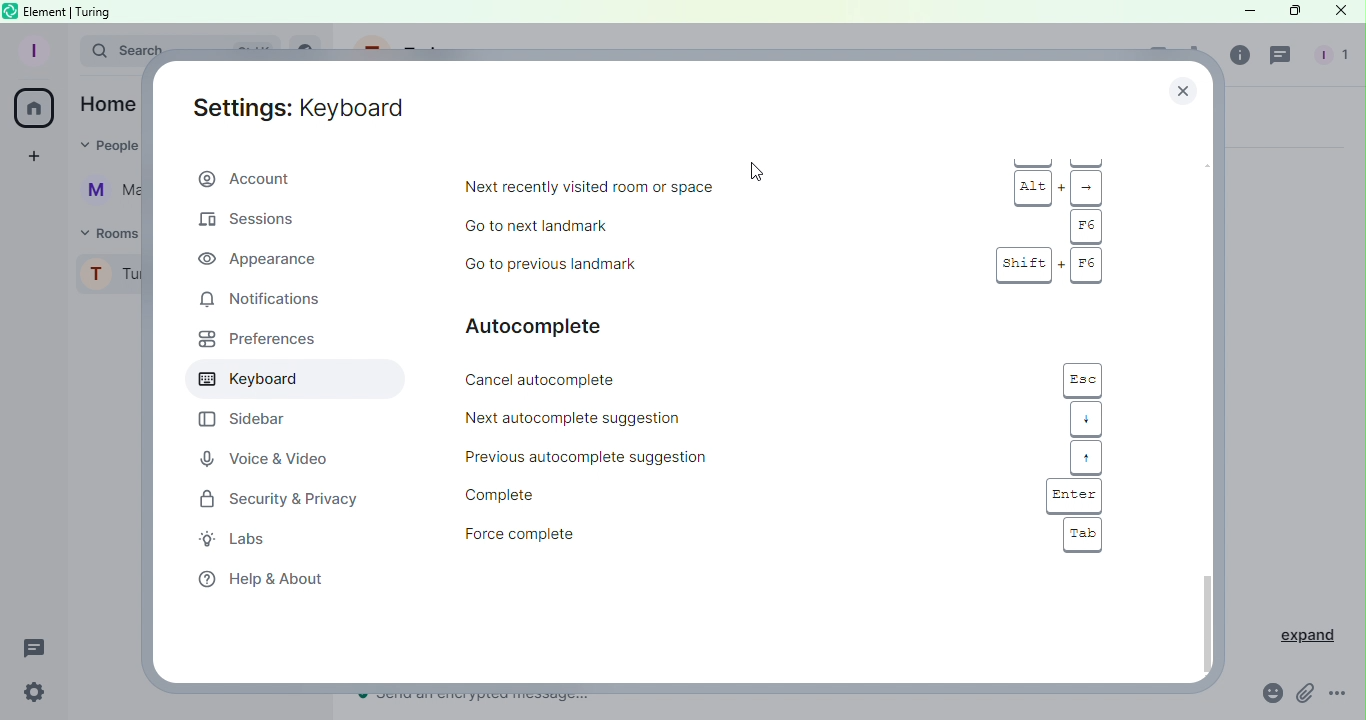 This screenshot has width=1366, height=720. Describe the element at coordinates (1208, 406) in the screenshot. I see `Scroll bar` at that location.